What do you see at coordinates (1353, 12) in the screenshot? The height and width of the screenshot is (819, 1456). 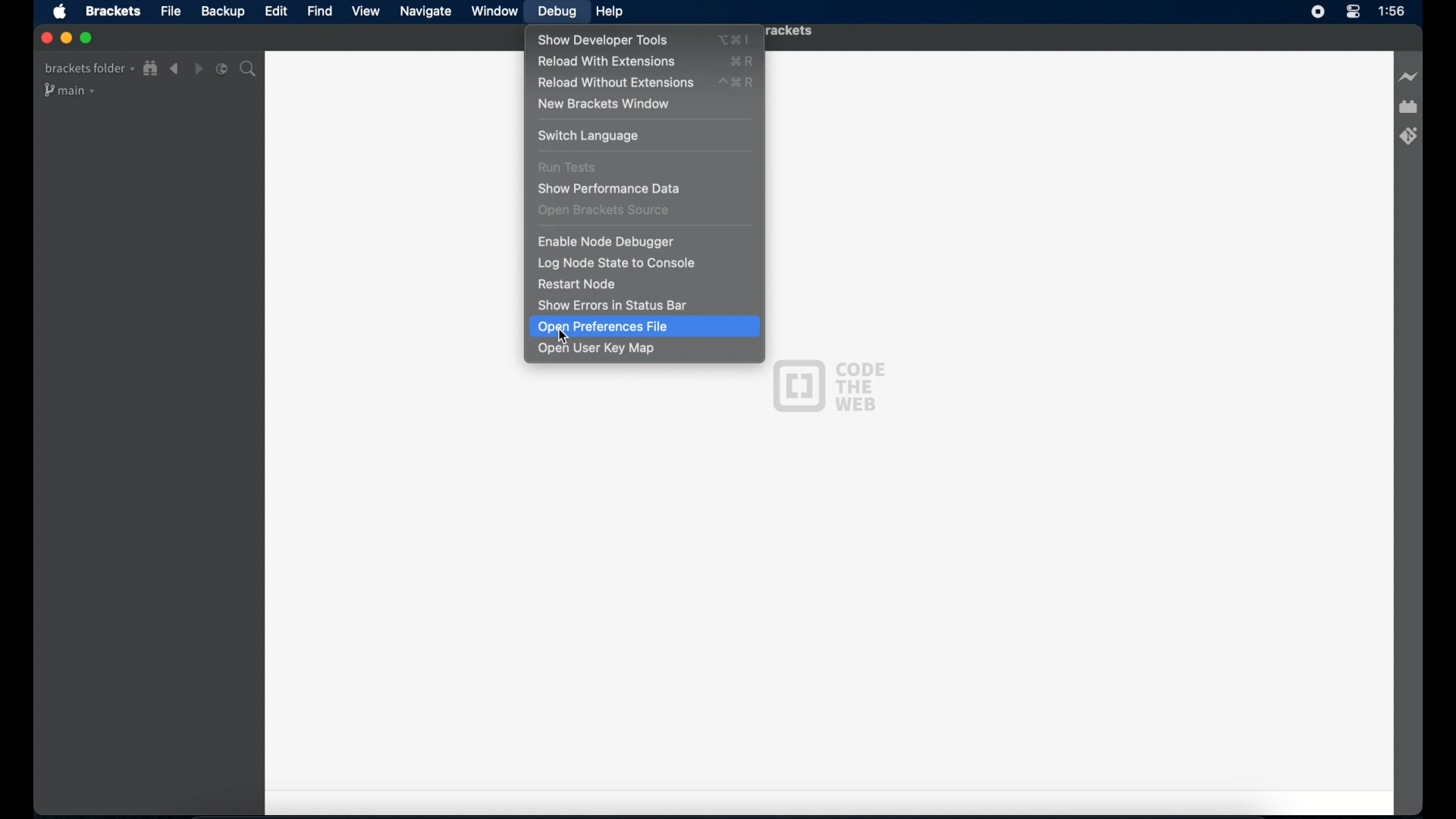 I see `control center` at bounding box center [1353, 12].